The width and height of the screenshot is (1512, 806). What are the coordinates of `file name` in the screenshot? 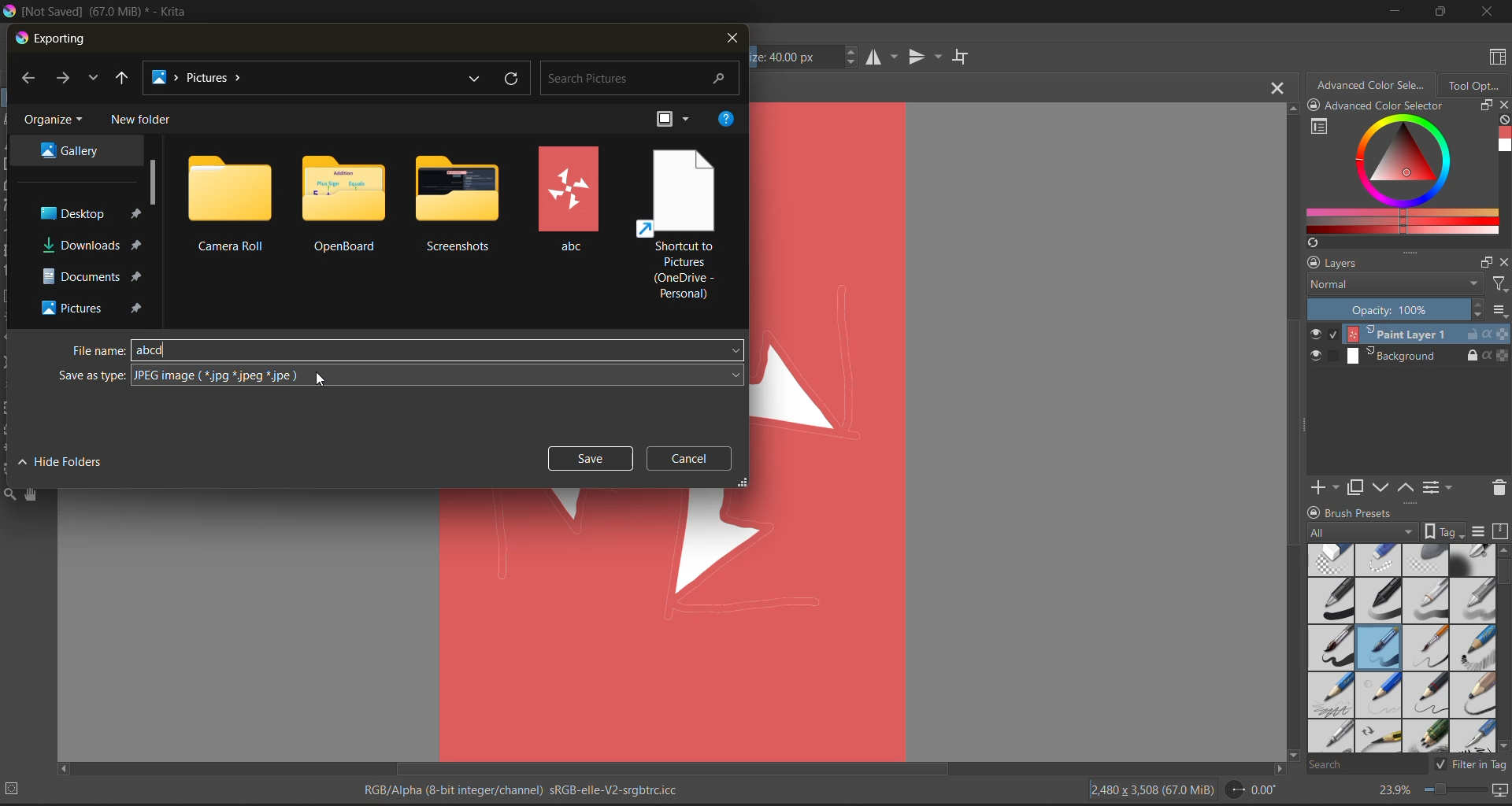 It's located at (96, 350).